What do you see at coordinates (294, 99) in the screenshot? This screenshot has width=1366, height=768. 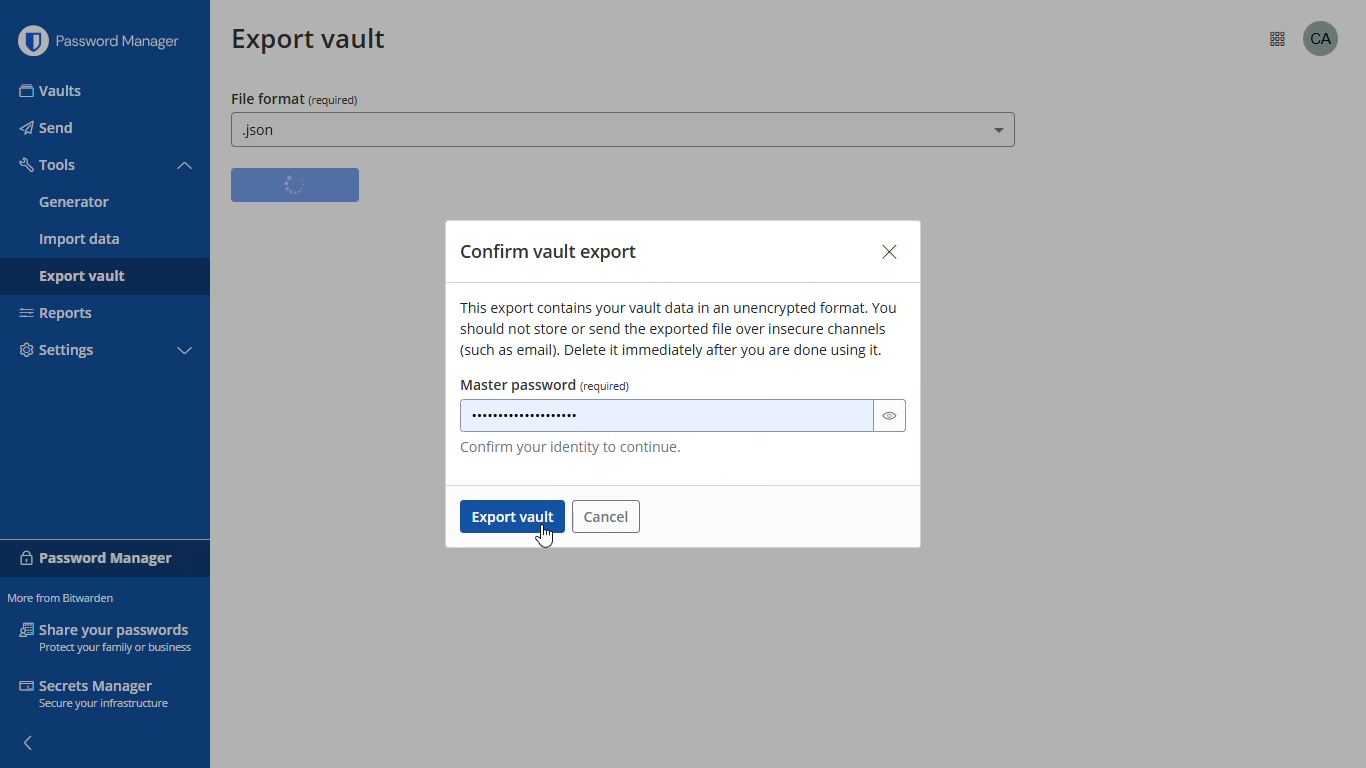 I see `file format (required)` at bounding box center [294, 99].